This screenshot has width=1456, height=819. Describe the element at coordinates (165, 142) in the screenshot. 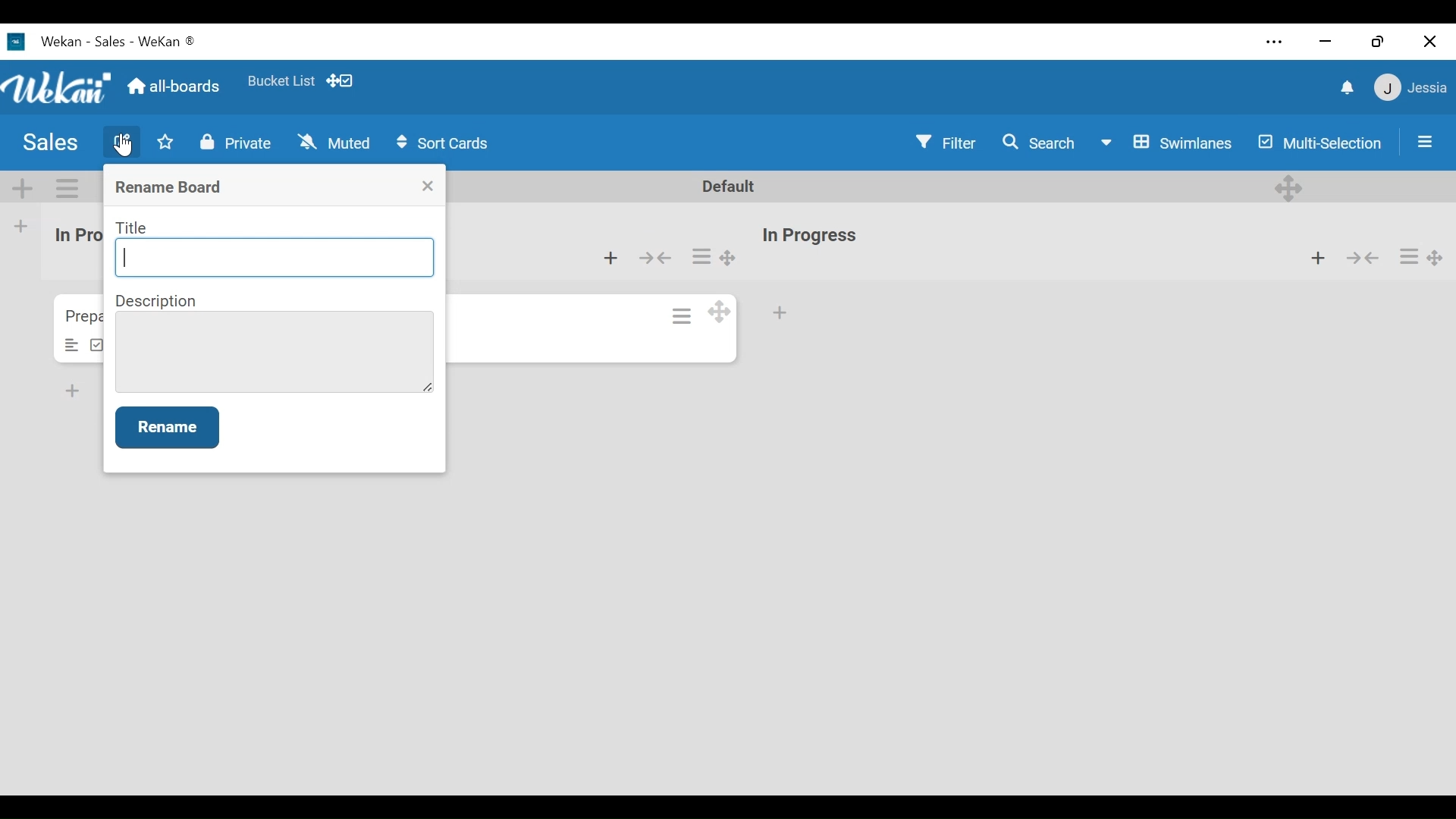

I see `Toggle Favorites` at that location.